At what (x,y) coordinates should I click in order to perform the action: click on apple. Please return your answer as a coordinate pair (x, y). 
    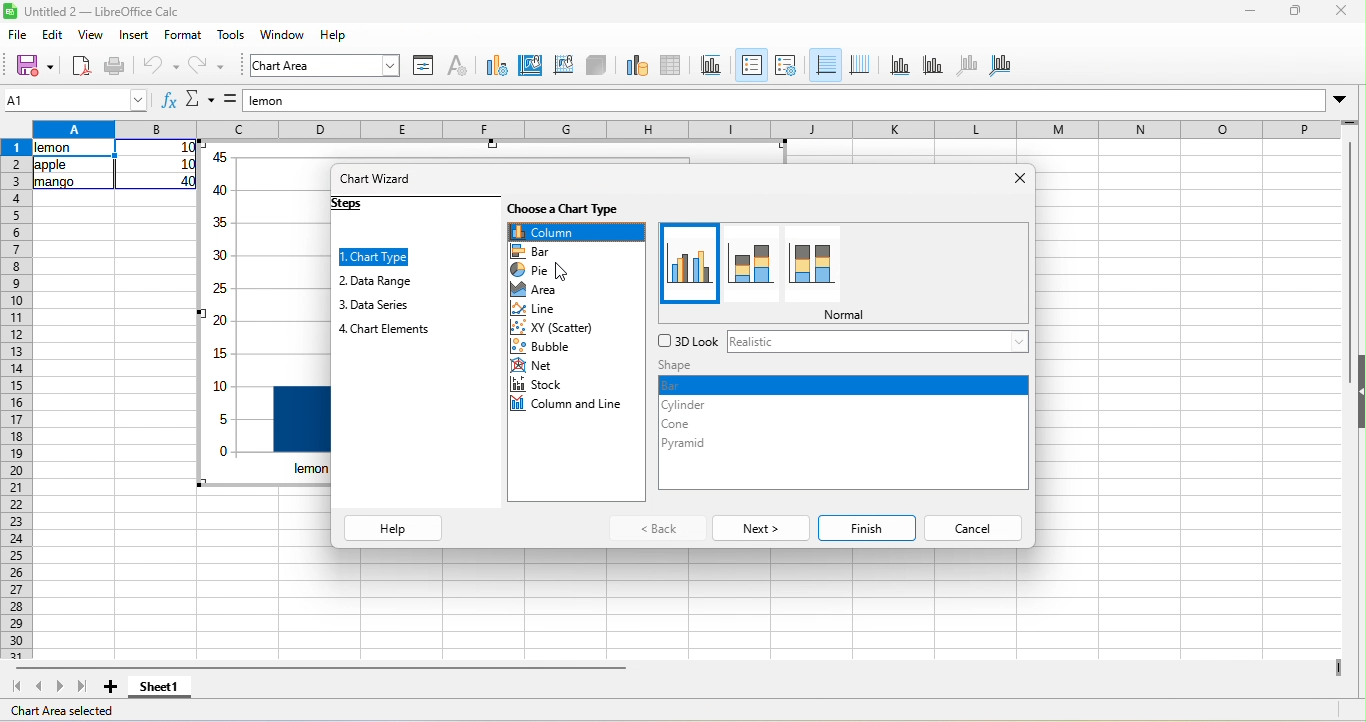
    Looking at the image, I should click on (52, 166).